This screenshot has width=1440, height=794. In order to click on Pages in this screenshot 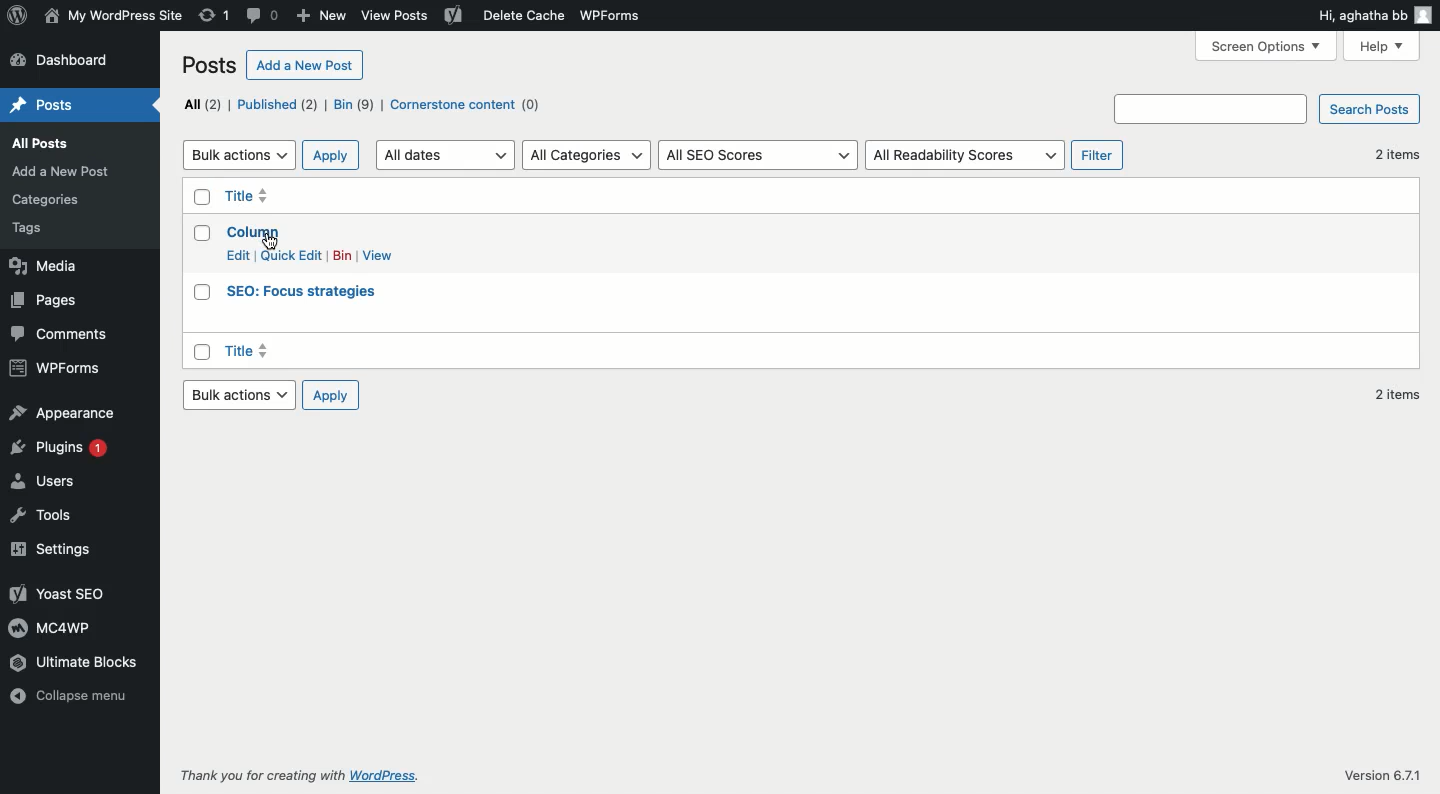, I will do `click(48, 300)`.